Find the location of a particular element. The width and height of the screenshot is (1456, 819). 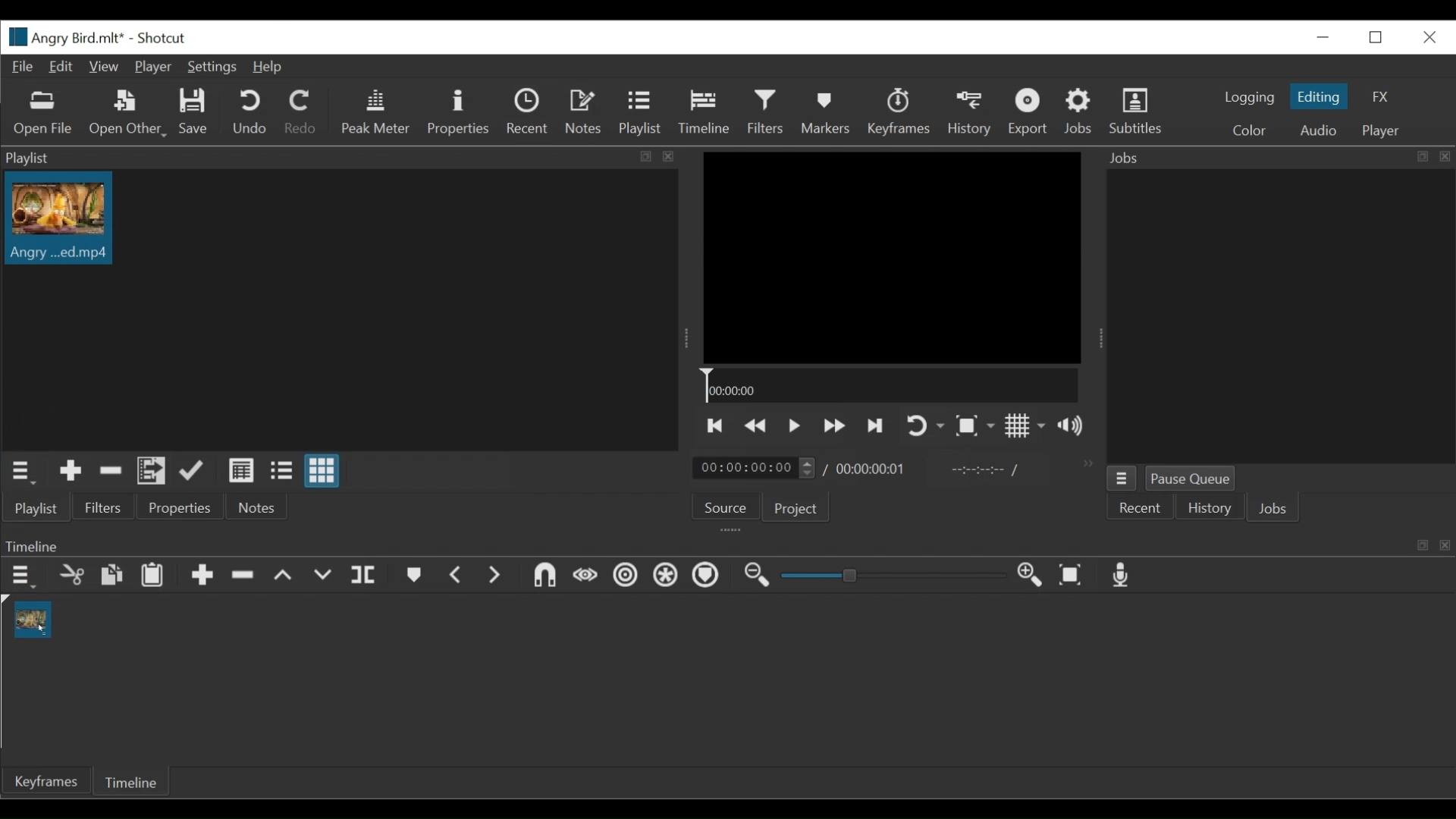

Overwrite is located at coordinates (325, 575).